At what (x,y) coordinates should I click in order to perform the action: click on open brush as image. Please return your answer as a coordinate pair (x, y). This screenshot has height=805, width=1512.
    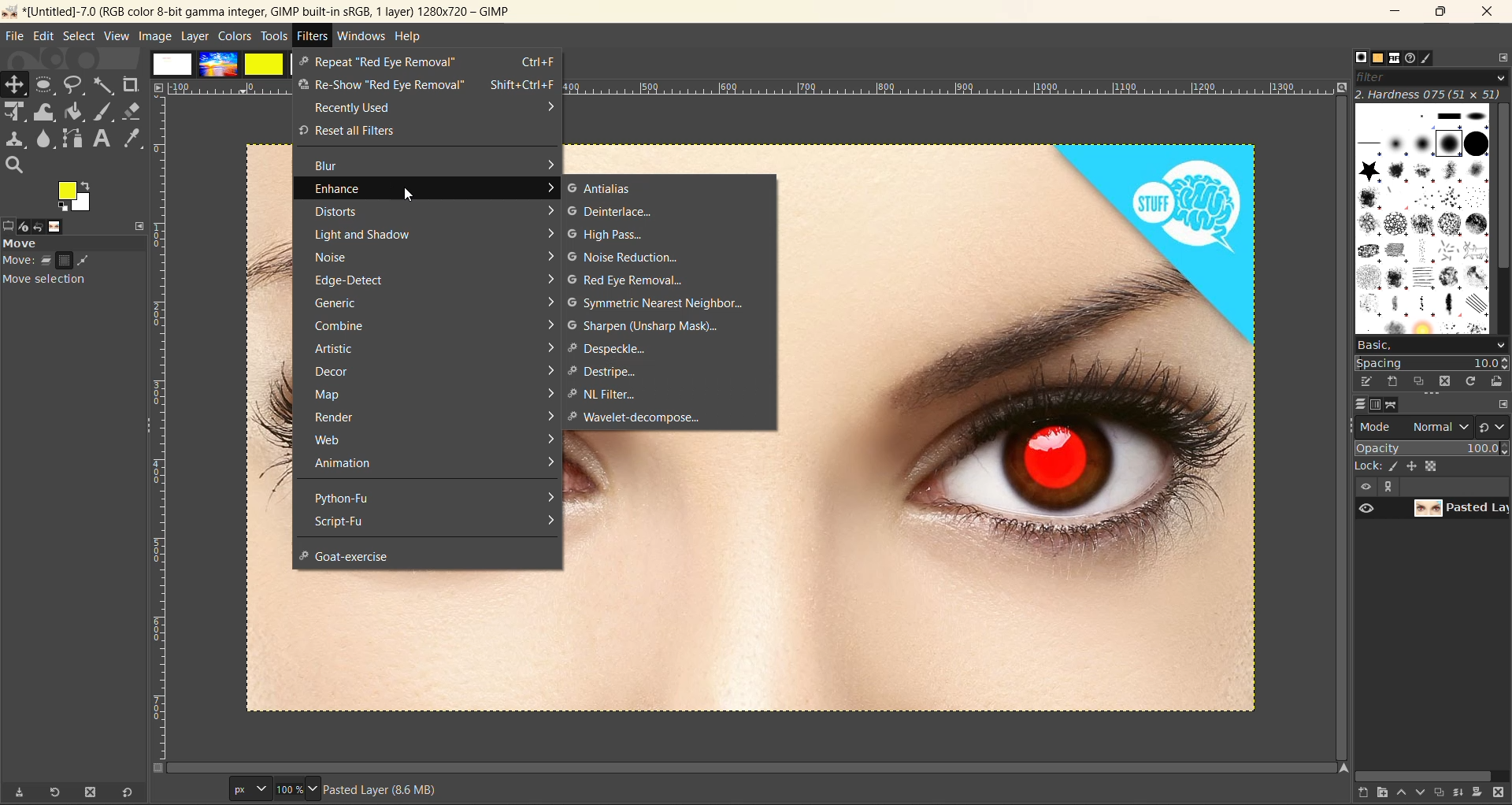
    Looking at the image, I should click on (1497, 383).